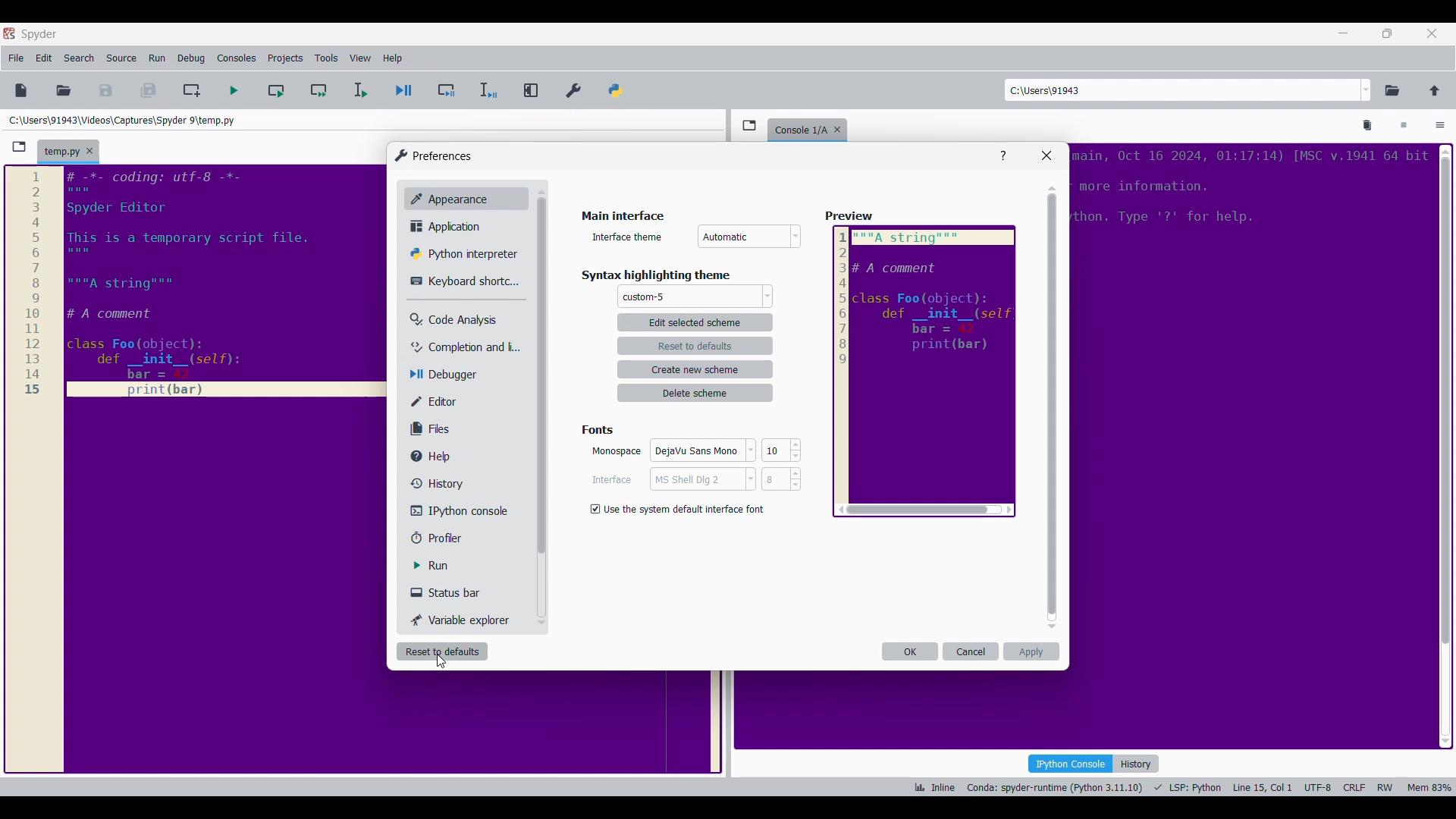  What do you see at coordinates (656, 275) in the screenshot?
I see `Section title` at bounding box center [656, 275].